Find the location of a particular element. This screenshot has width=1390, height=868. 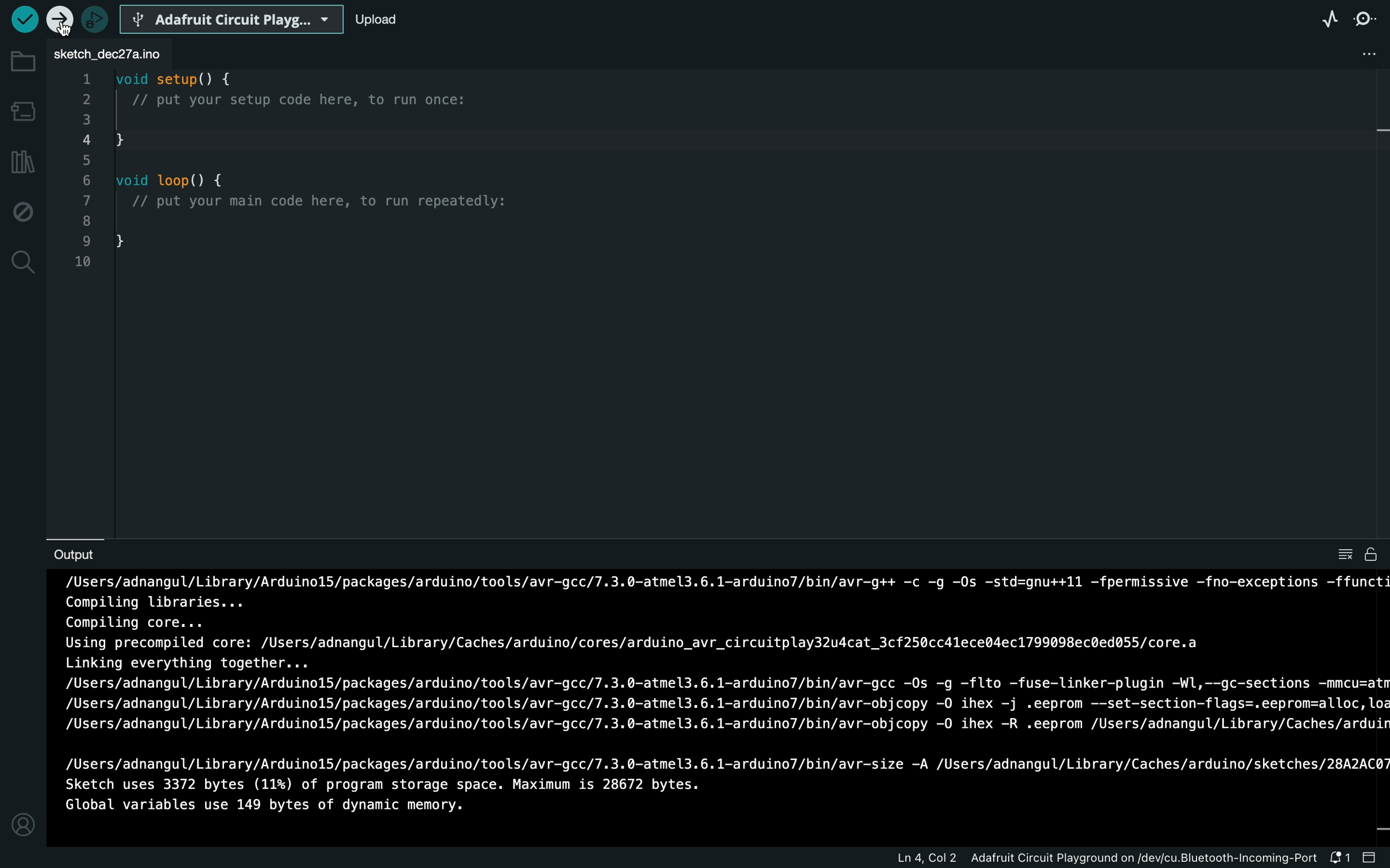

verify is located at coordinates (23, 20).